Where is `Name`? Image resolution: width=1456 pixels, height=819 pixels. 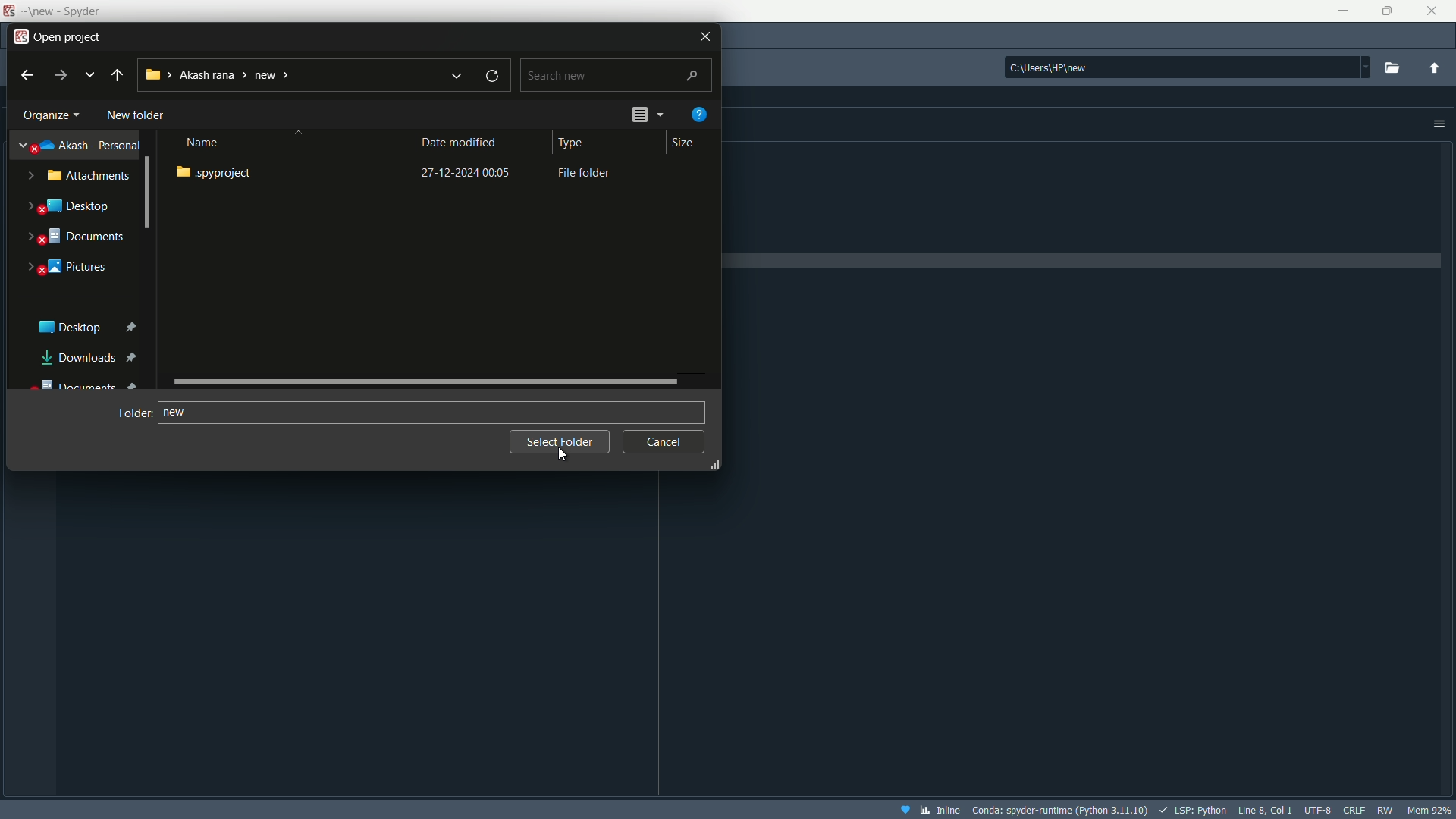 Name is located at coordinates (216, 142).